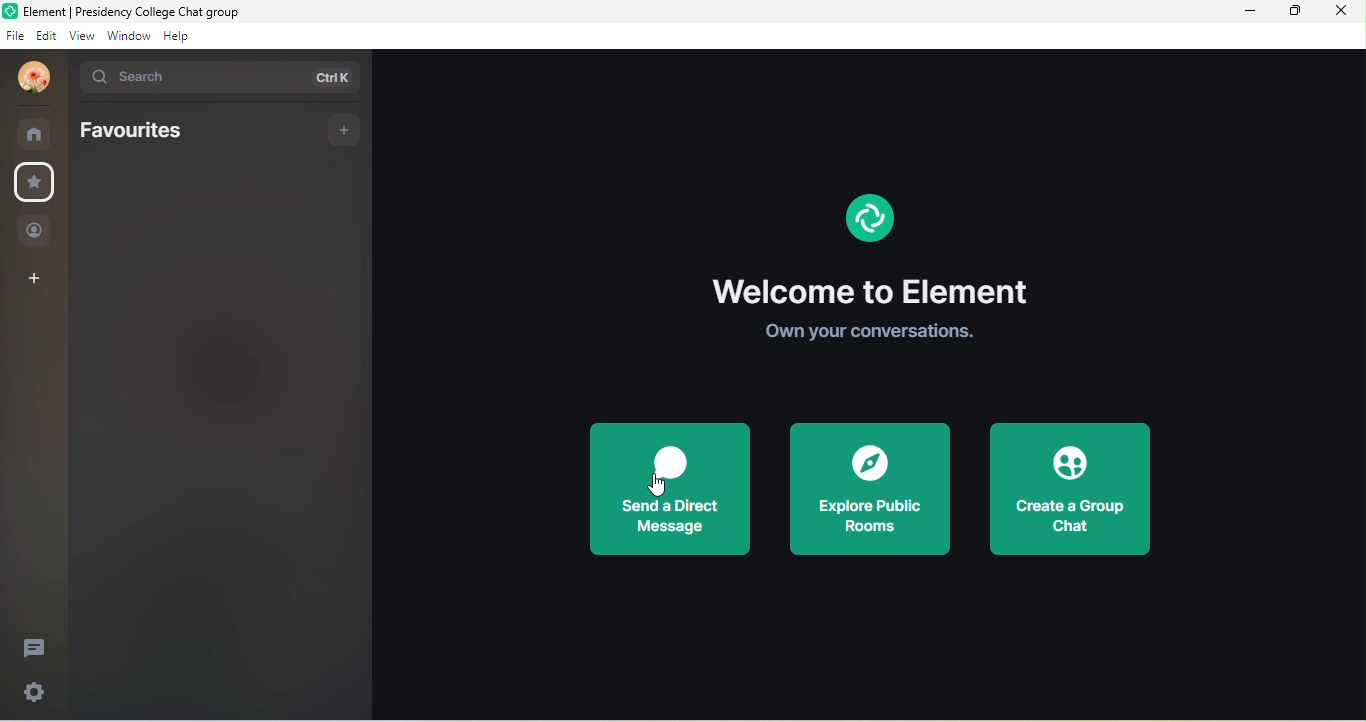 The height and width of the screenshot is (722, 1366). I want to click on create a group chat, so click(1074, 491).